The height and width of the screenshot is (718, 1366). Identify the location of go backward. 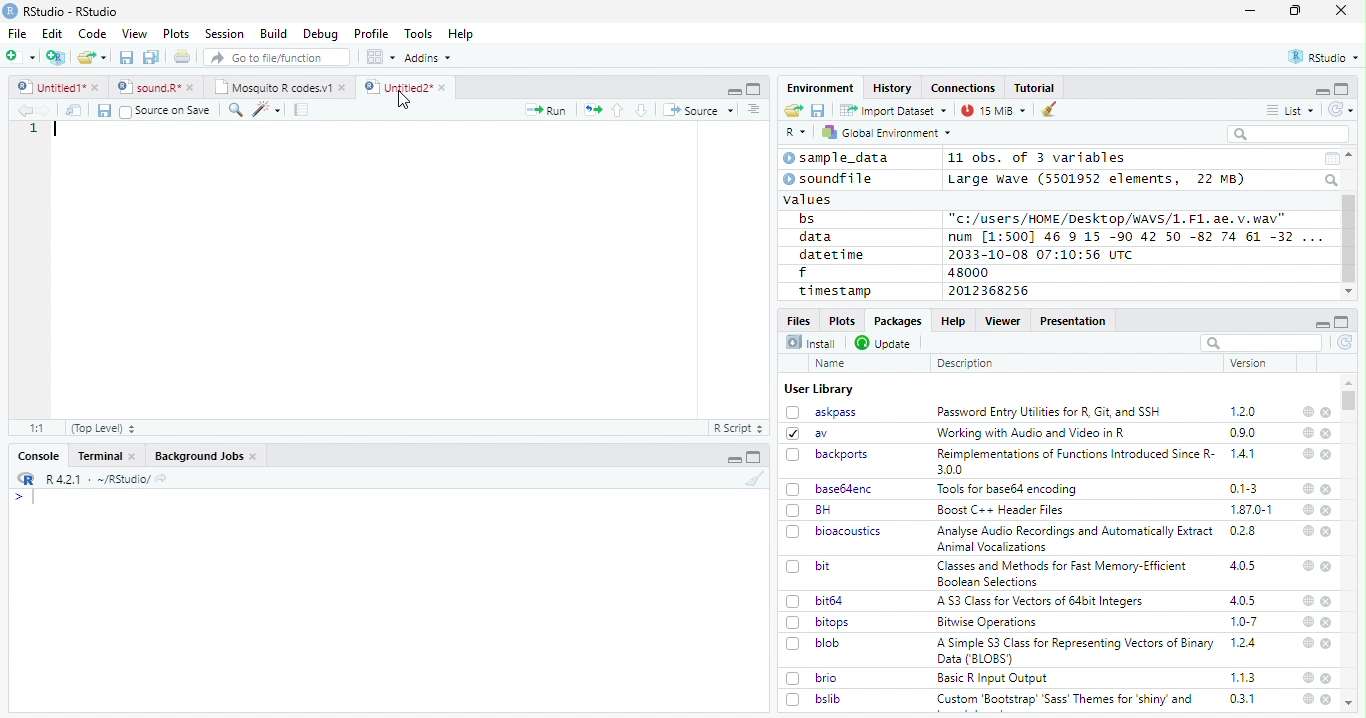
(25, 109).